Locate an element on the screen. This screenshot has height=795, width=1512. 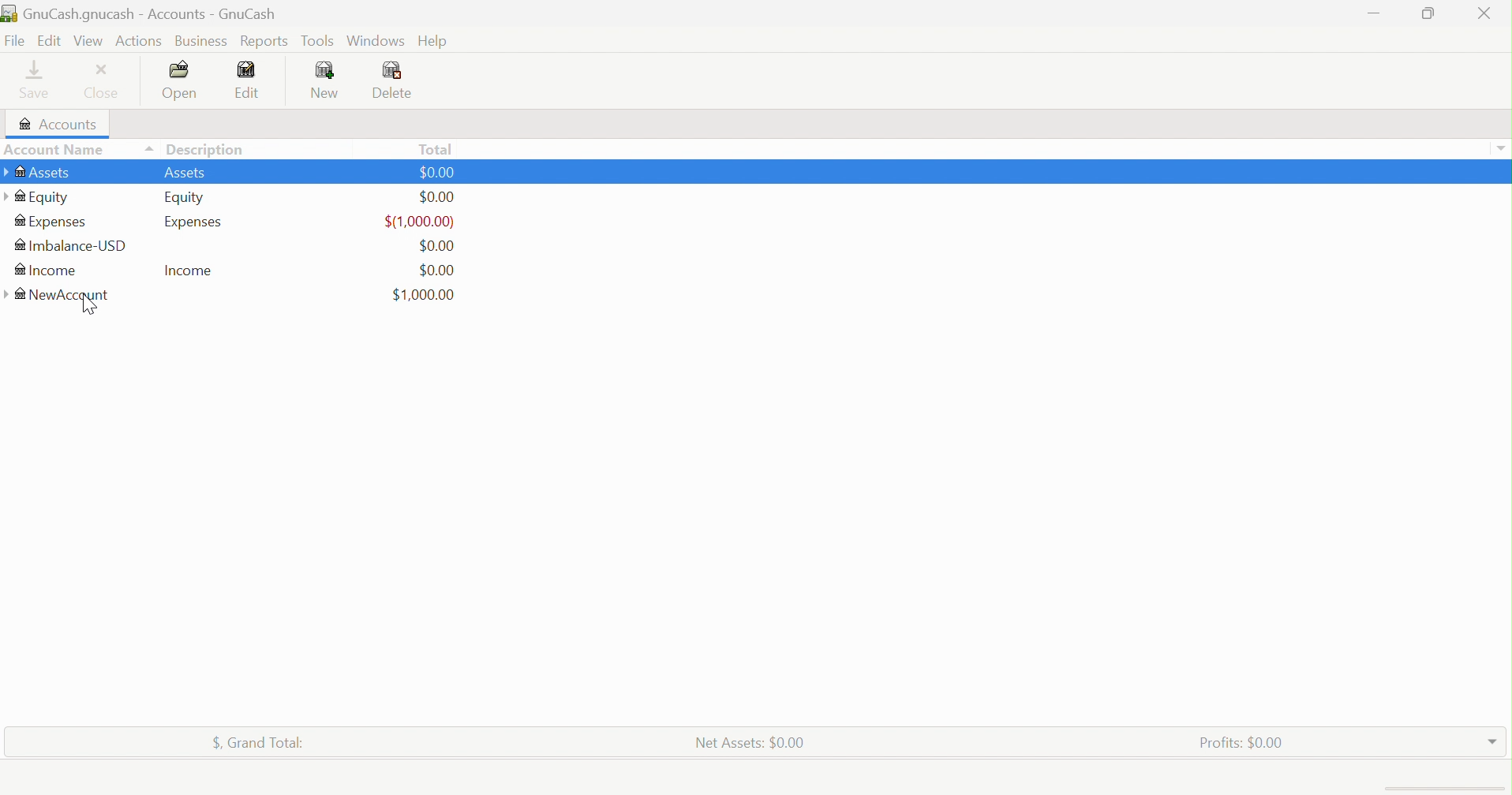
Assets is located at coordinates (37, 173).